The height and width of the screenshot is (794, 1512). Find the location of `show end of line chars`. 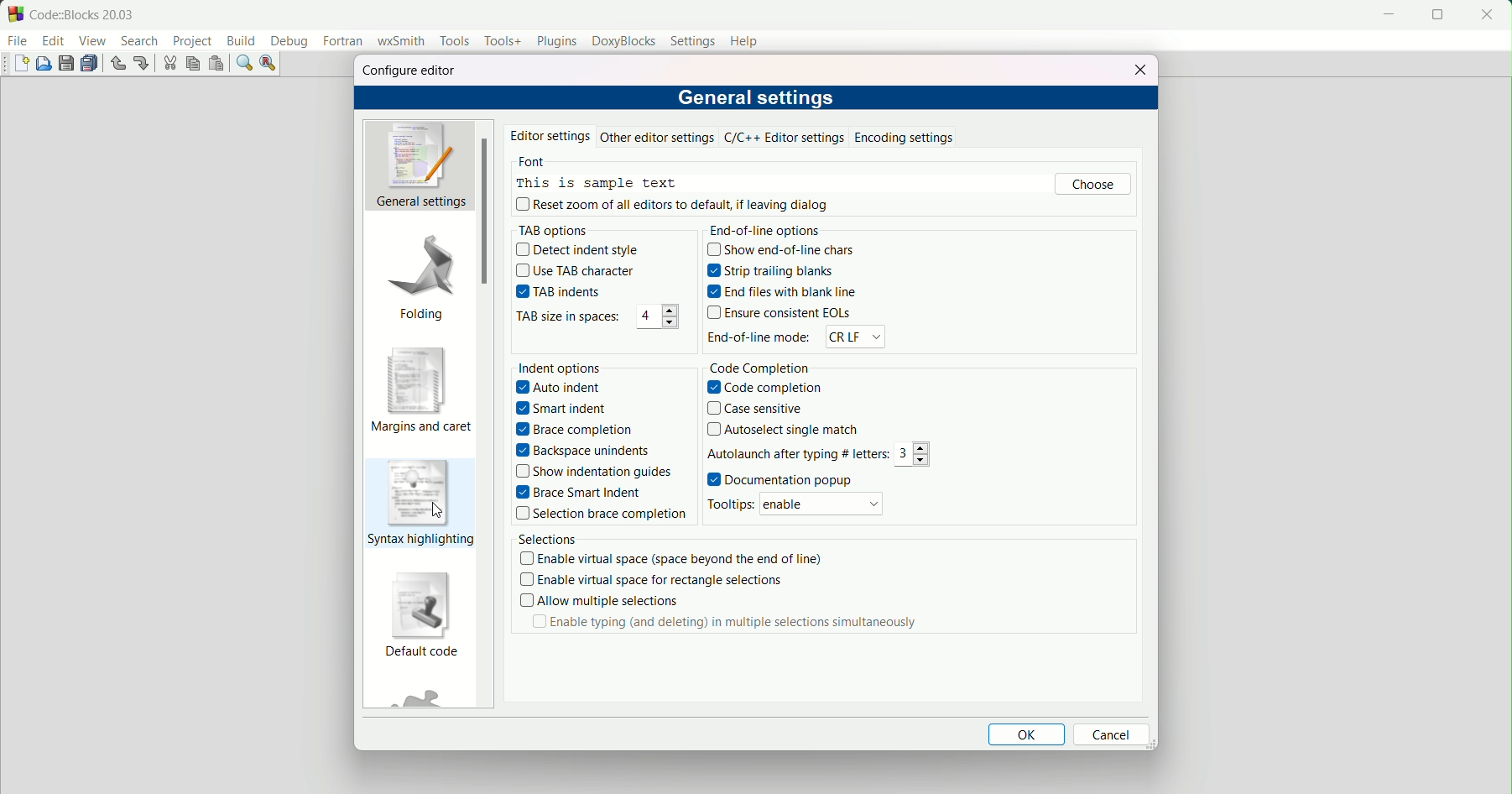

show end of line chars is located at coordinates (780, 248).